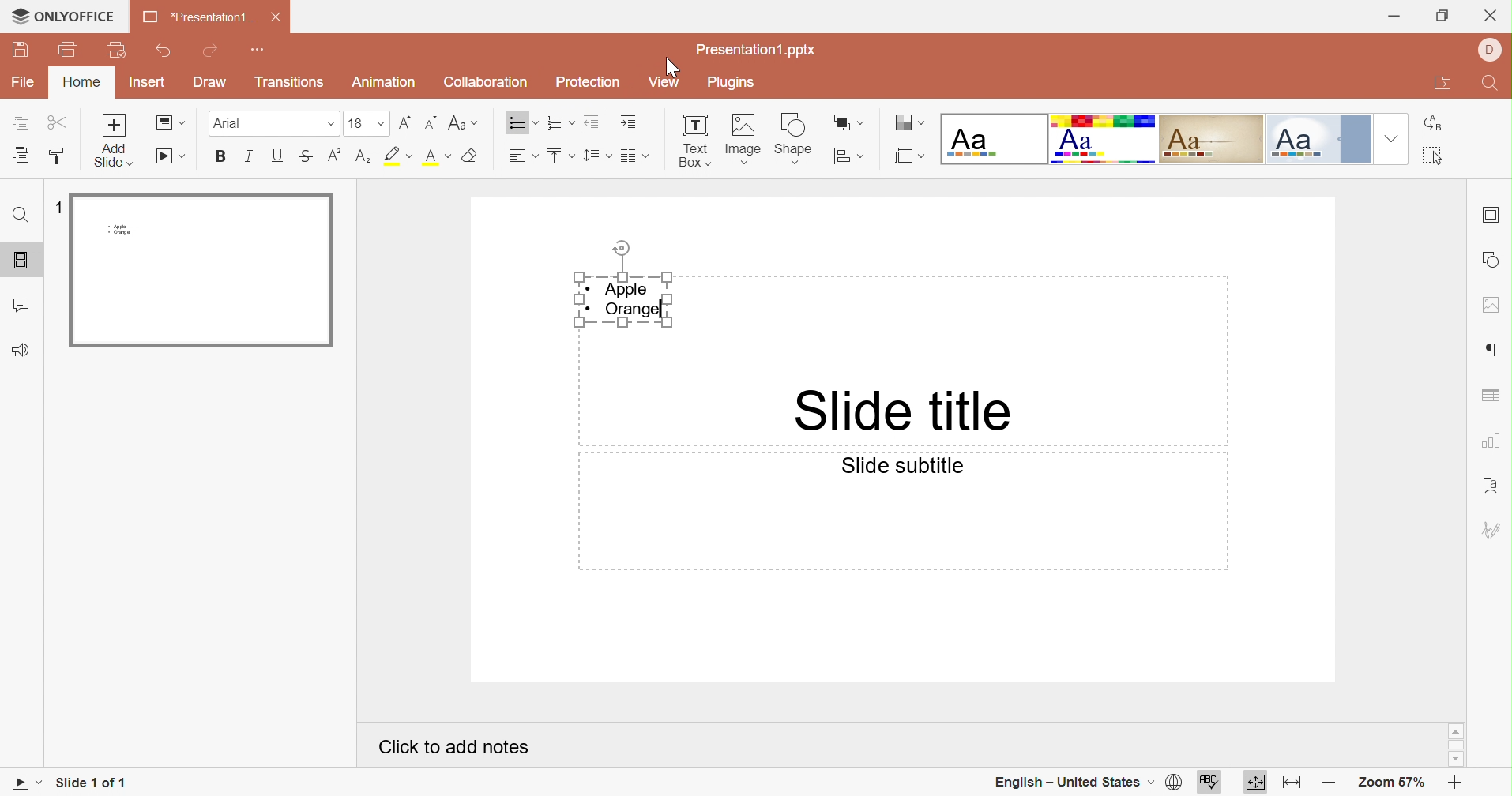  Describe the element at coordinates (430, 122) in the screenshot. I see `Decrement font size` at that location.